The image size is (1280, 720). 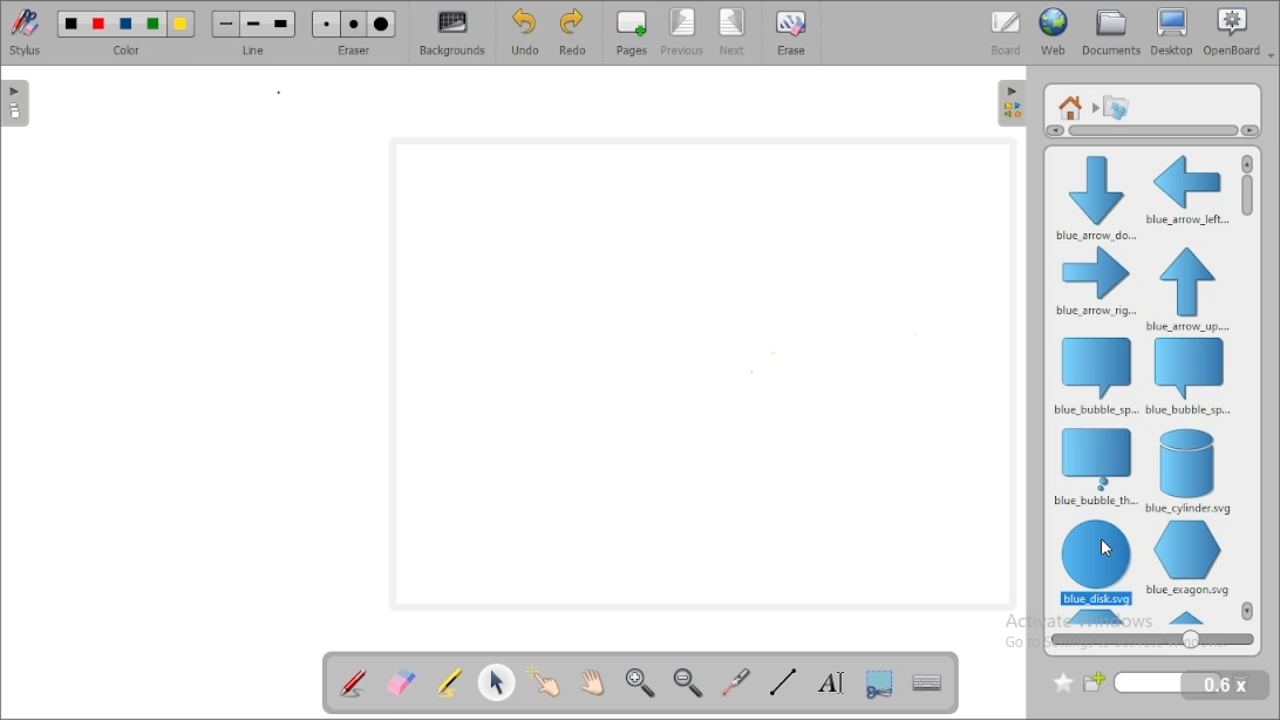 I want to click on annotate document, so click(x=352, y=682).